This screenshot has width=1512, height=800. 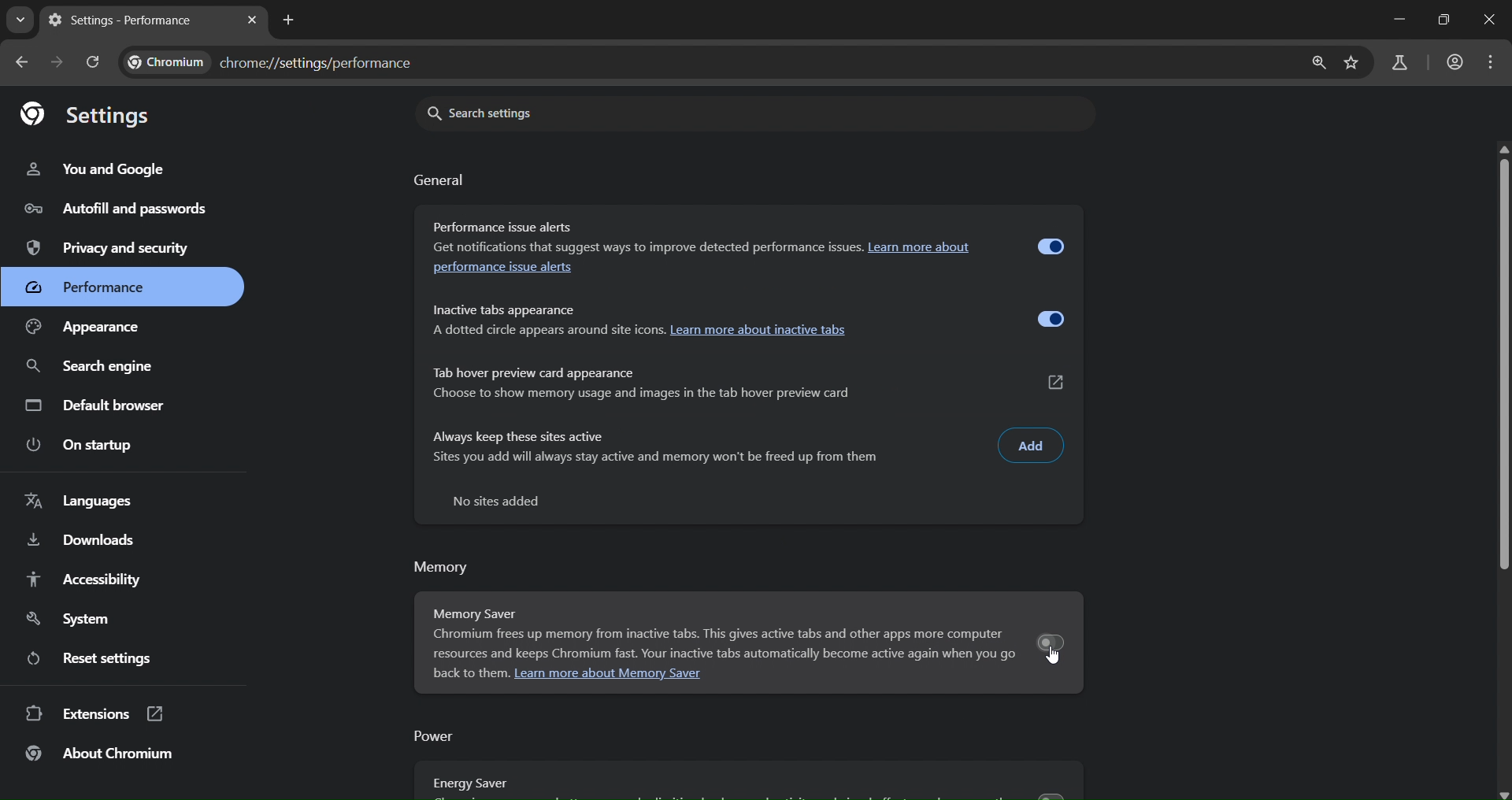 I want to click on link, so click(x=1058, y=383).